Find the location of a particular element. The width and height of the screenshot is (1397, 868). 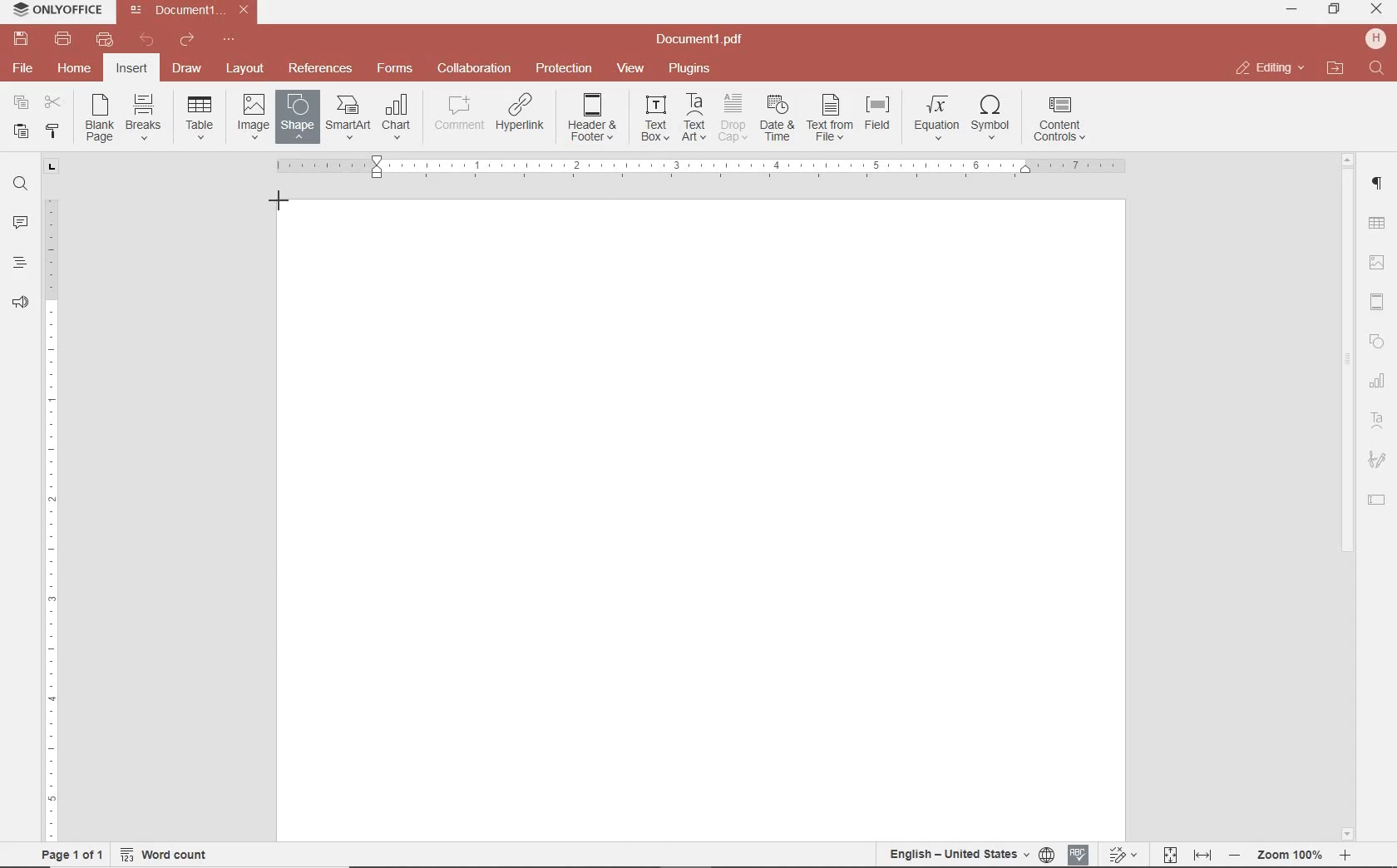

page 1 of 1 is located at coordinates (69, 853).